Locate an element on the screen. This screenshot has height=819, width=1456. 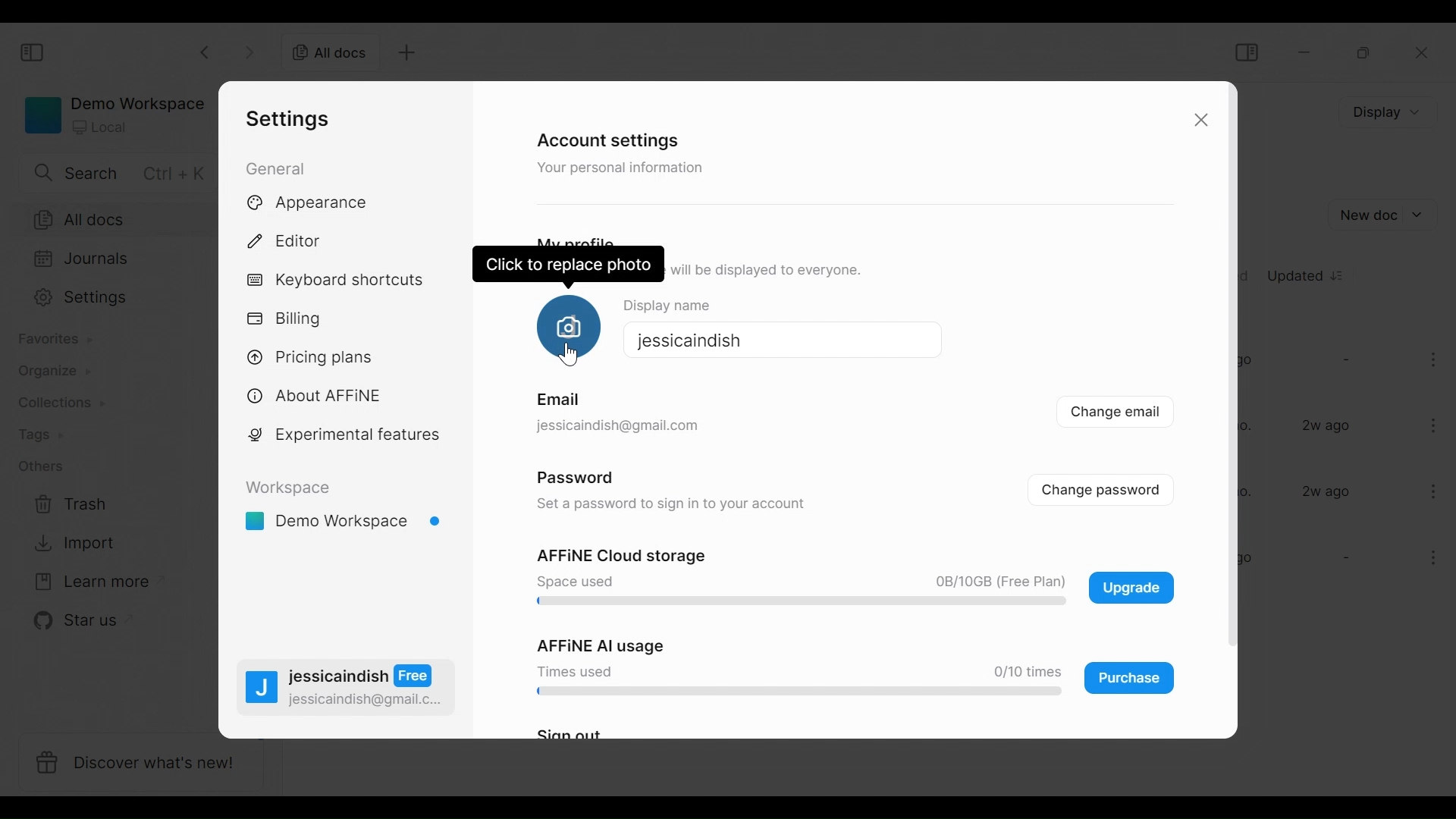
more options is located at coordinates (1435, 424).